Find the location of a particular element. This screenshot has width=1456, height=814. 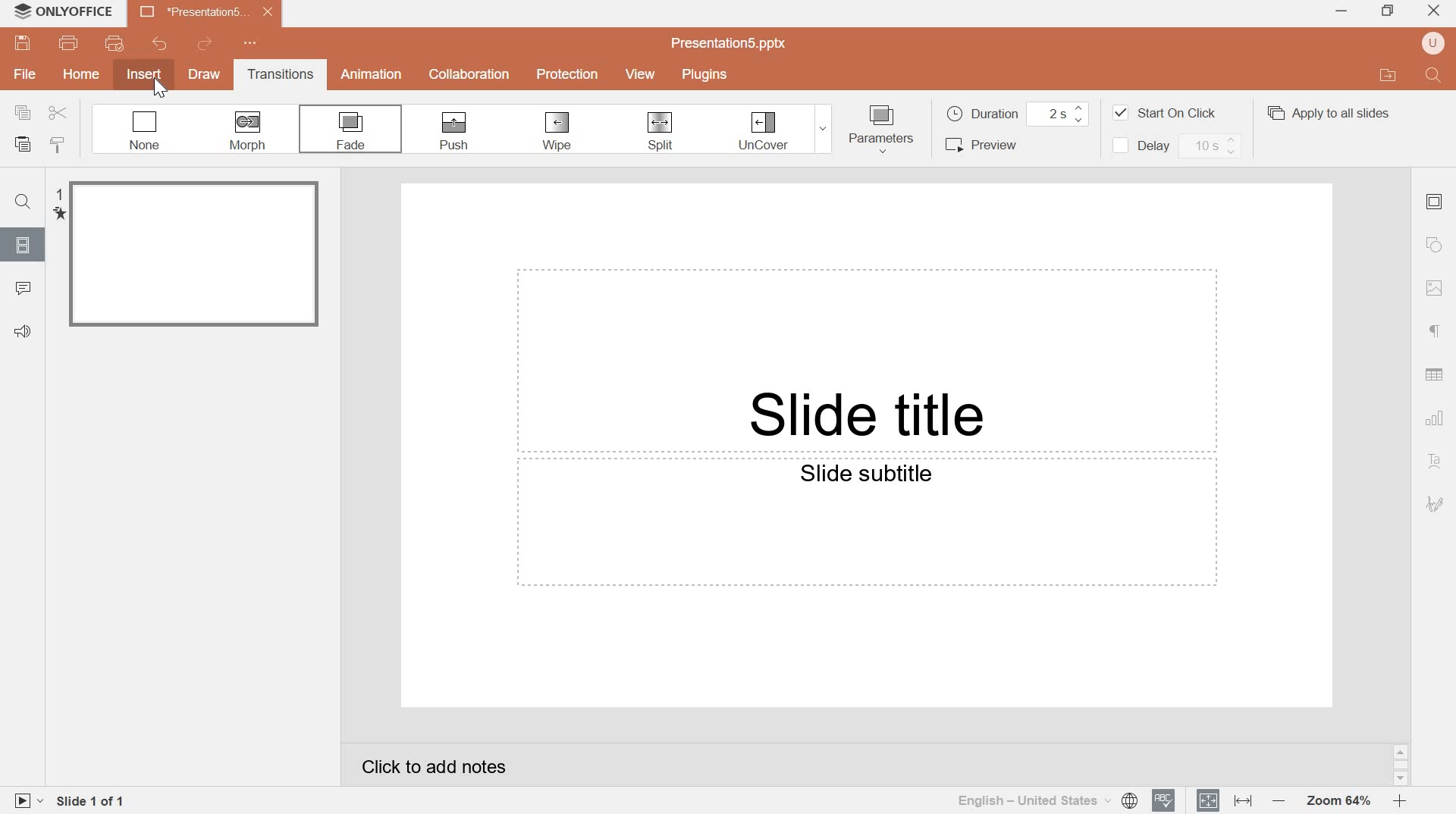

Start On Click is located at coordinates (1164, 113).